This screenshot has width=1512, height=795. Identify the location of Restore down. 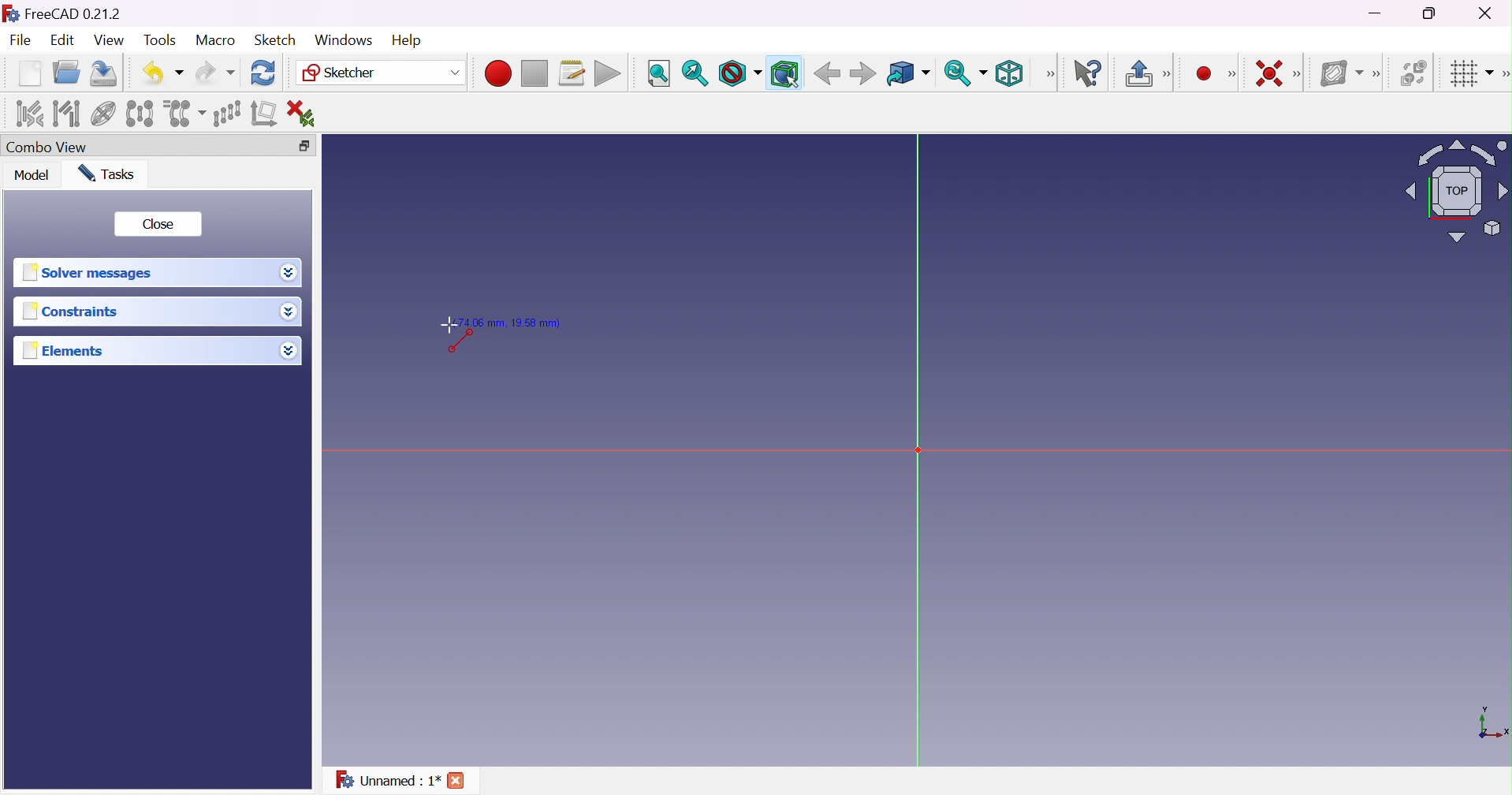
(306, 144).